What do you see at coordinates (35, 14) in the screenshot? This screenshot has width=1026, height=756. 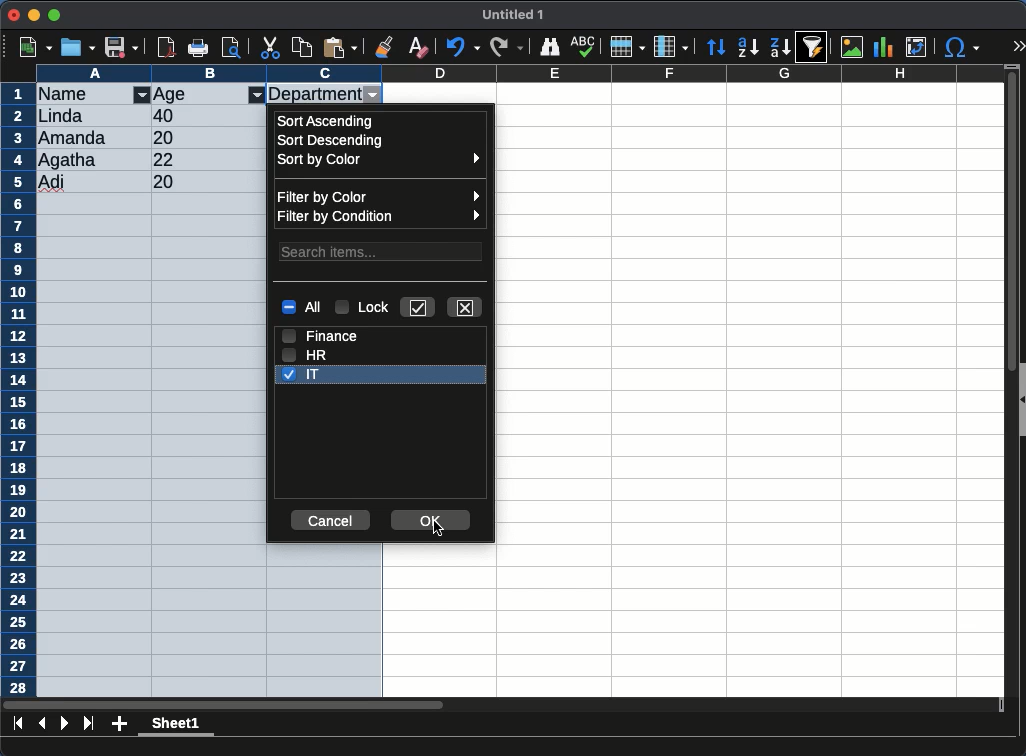 I see `minimize` at bounding box center [35, 14].